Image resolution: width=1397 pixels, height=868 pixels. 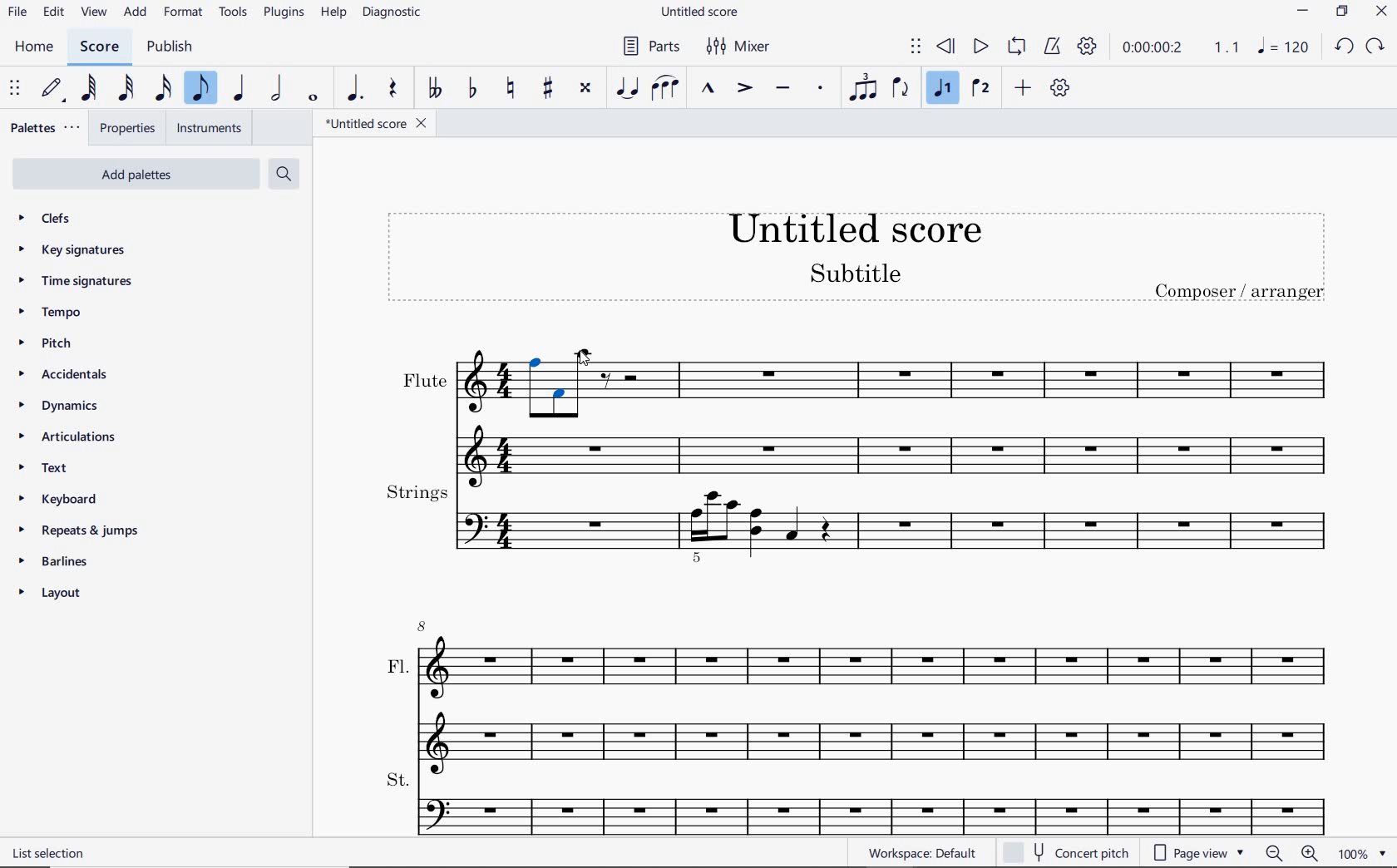 I want to click on MIXER, so click(x=736, y=47).